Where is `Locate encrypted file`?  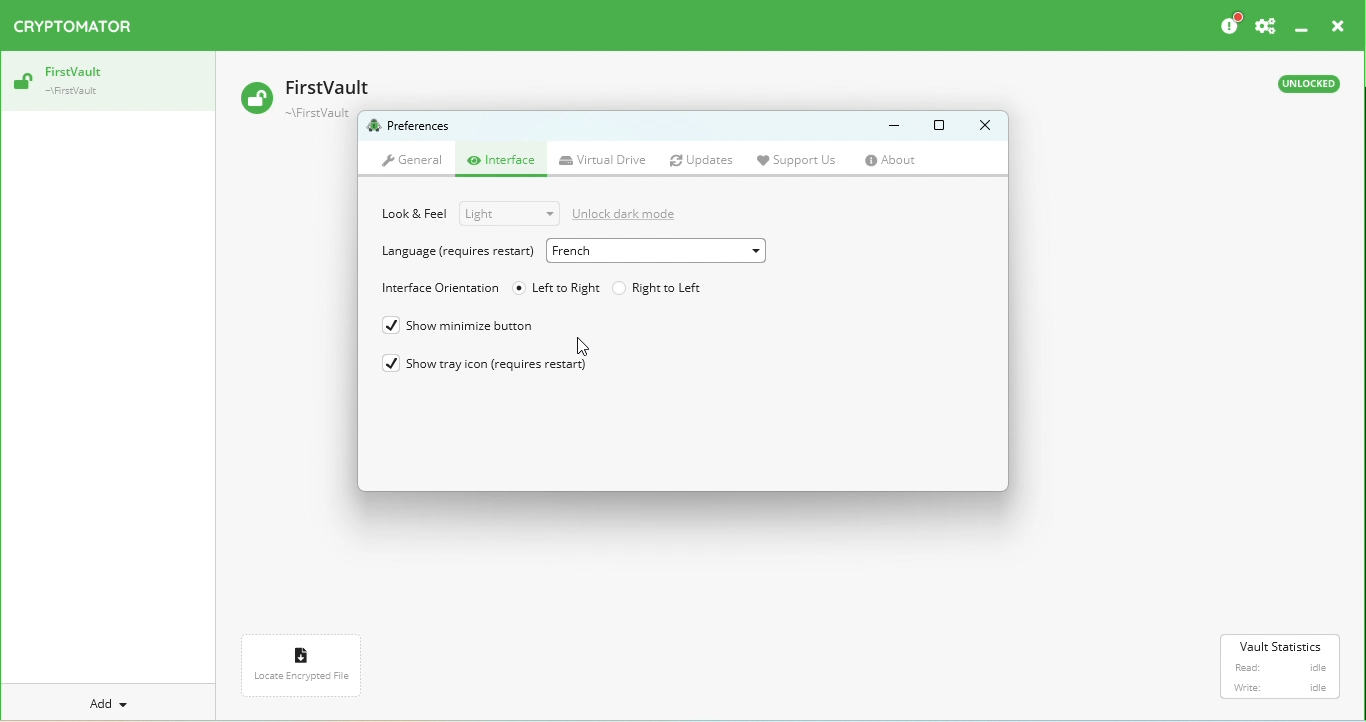
Locate encrypted file is located at coordinates (305, 670).